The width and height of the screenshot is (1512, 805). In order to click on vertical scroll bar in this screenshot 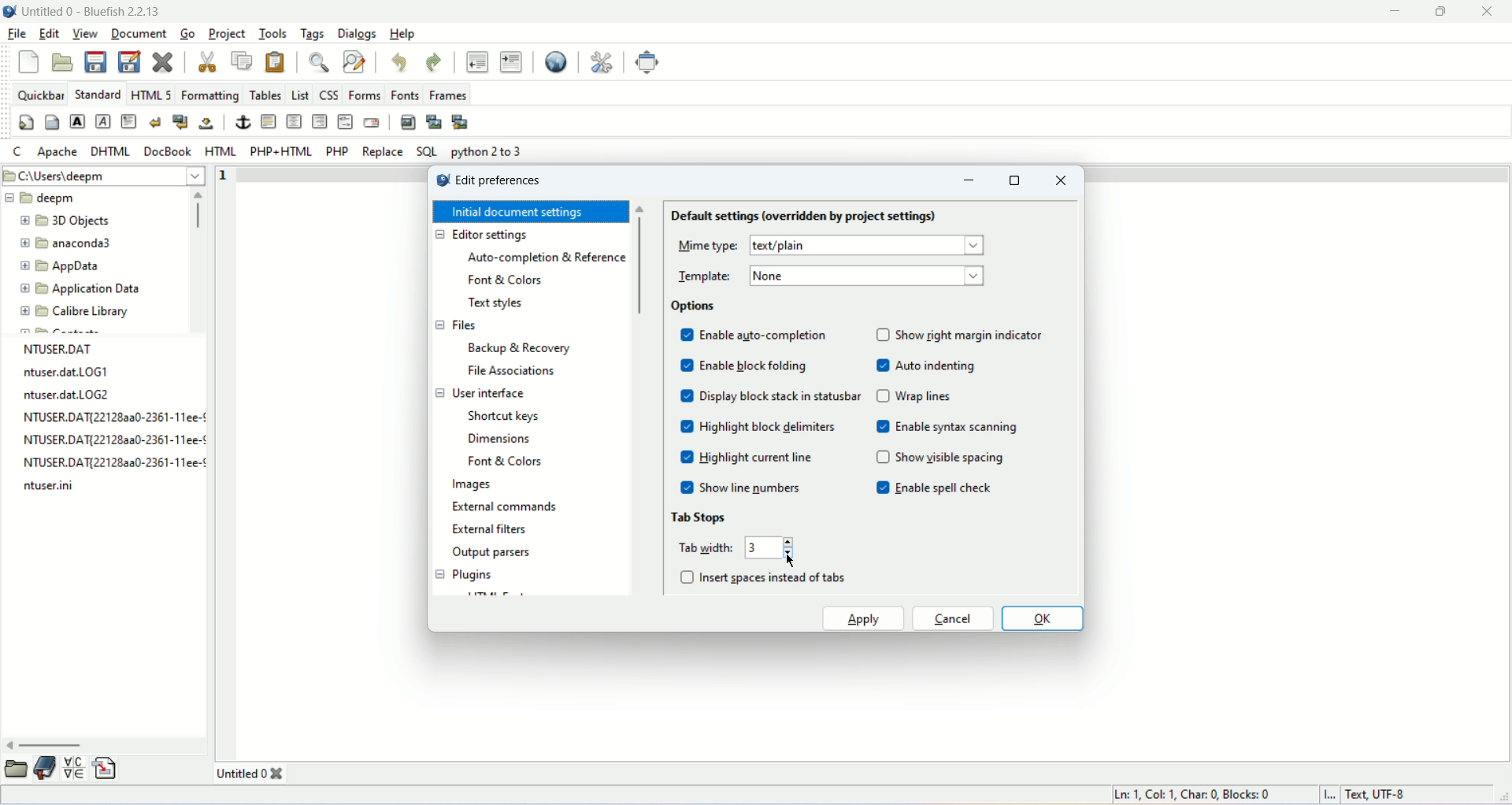, I will do `click(198, 210)`.